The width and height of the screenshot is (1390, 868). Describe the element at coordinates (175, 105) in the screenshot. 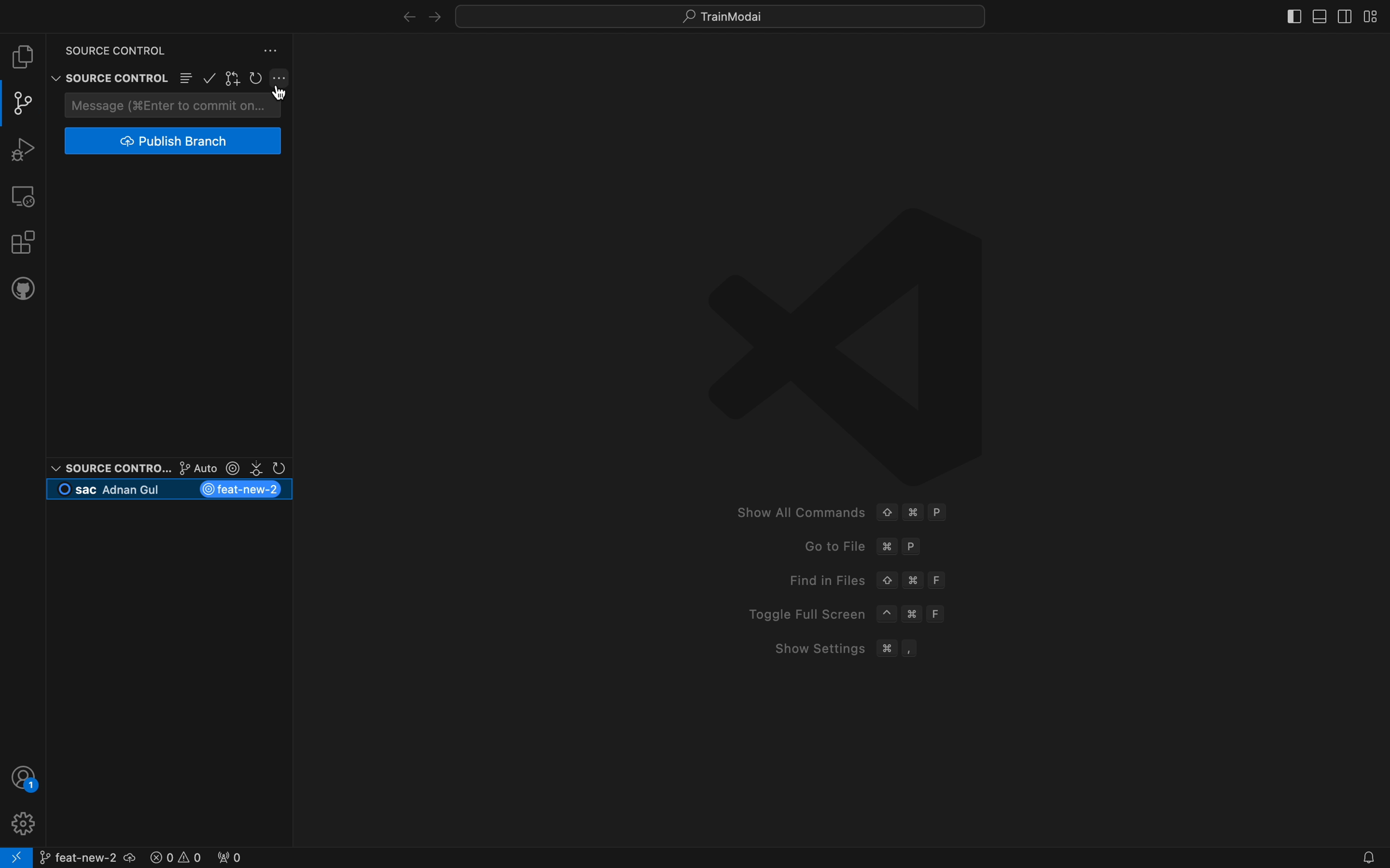

I see `commit message` at that location.